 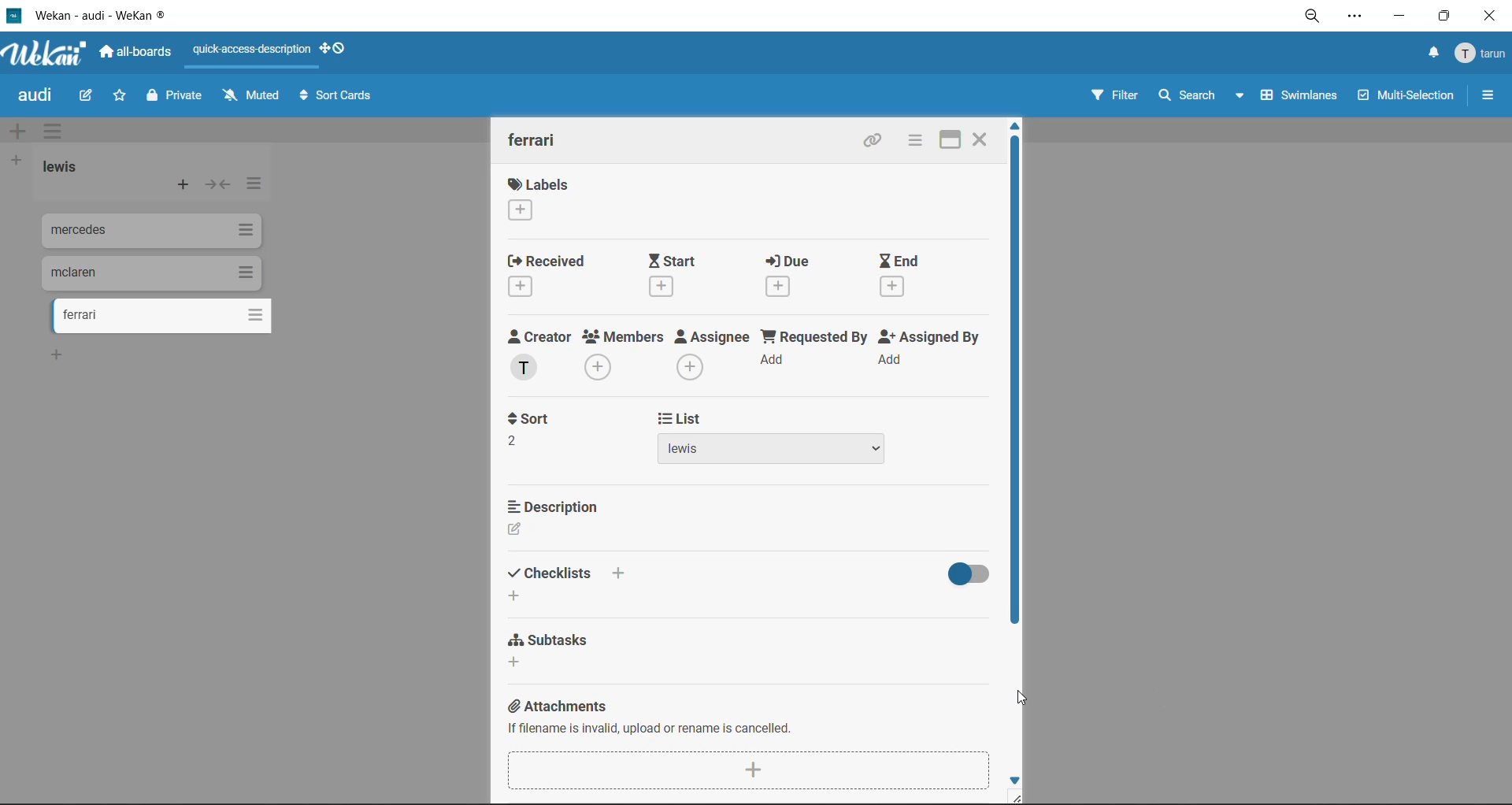 What do you see at coordinates (795, 274) in the screenshot?
I see `due` at bounding box center [795, 274].